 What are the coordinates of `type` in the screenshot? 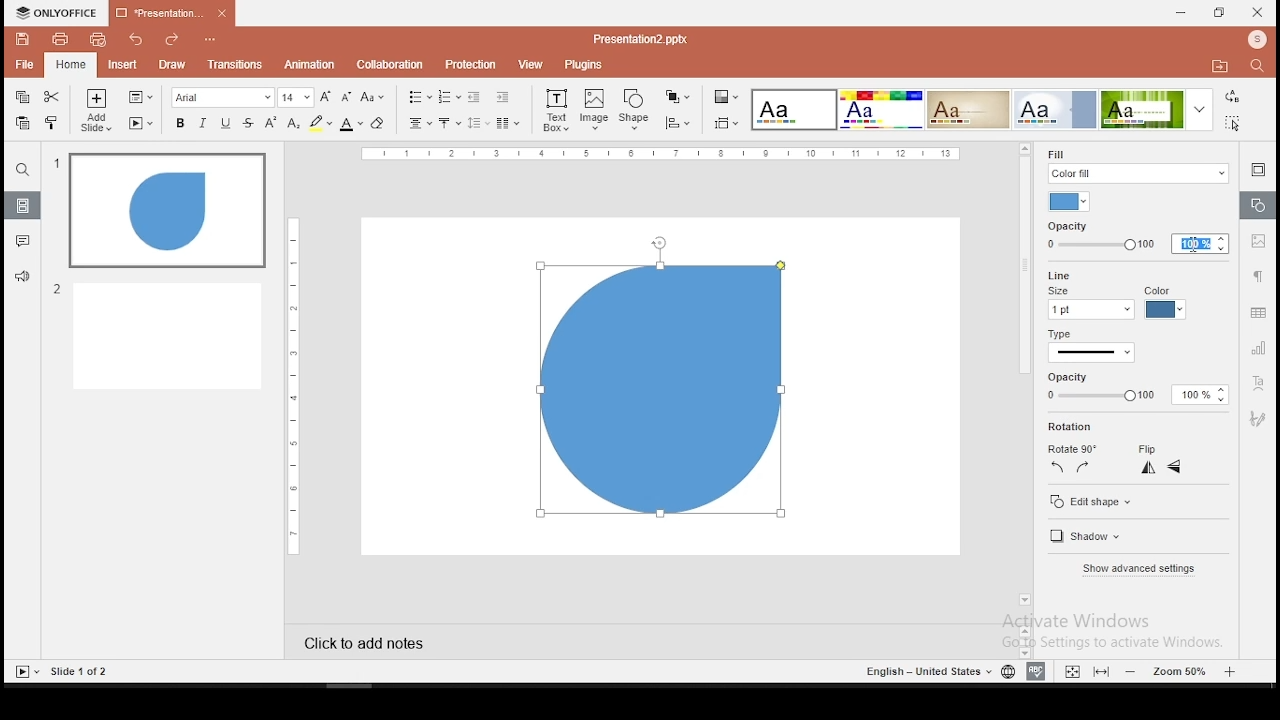 It's located at (1060, 336).